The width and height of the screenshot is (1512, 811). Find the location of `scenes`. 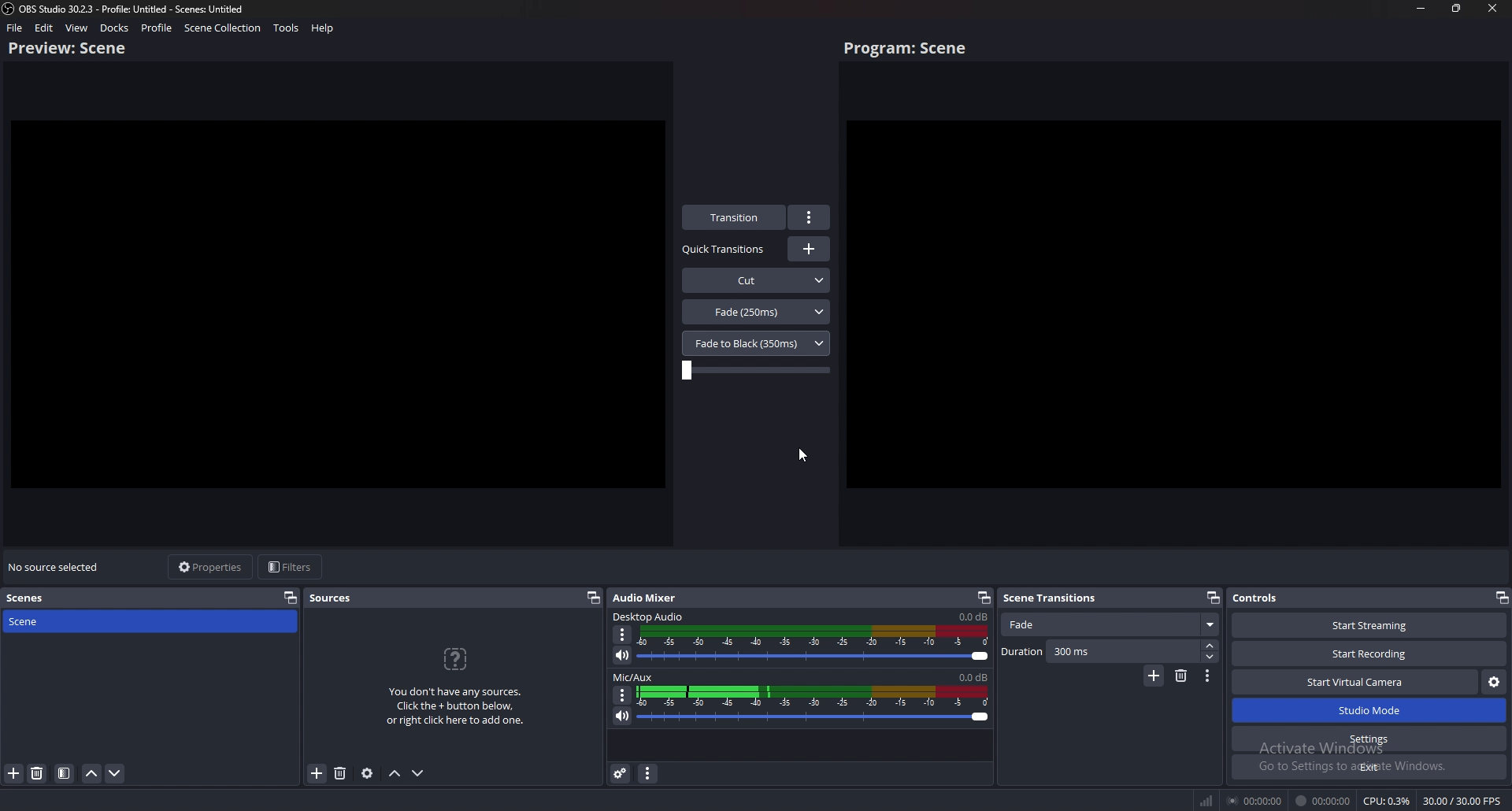

scenes is located at coordinates (29, 598).